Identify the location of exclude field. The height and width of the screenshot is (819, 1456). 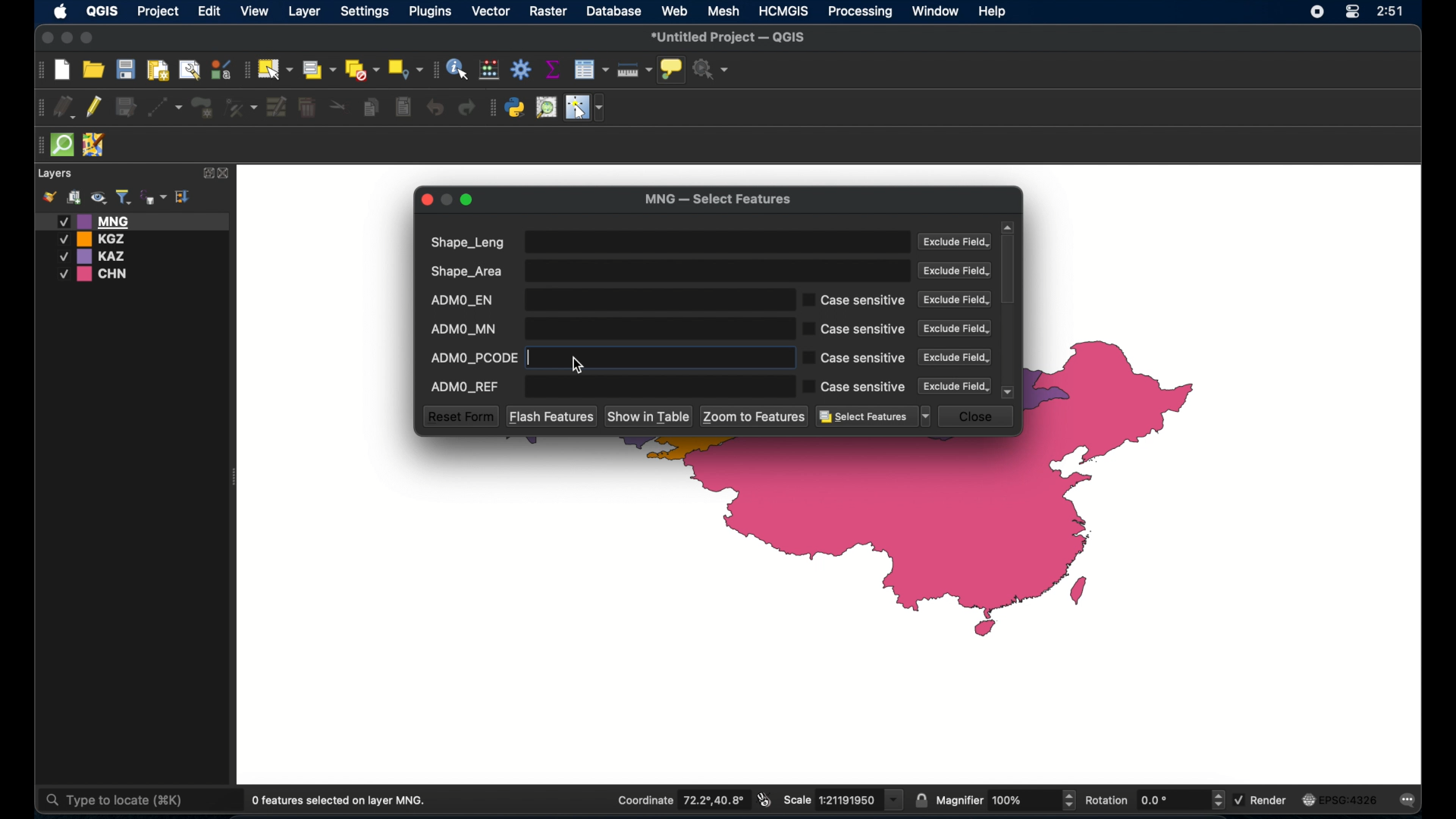
(955, 271).